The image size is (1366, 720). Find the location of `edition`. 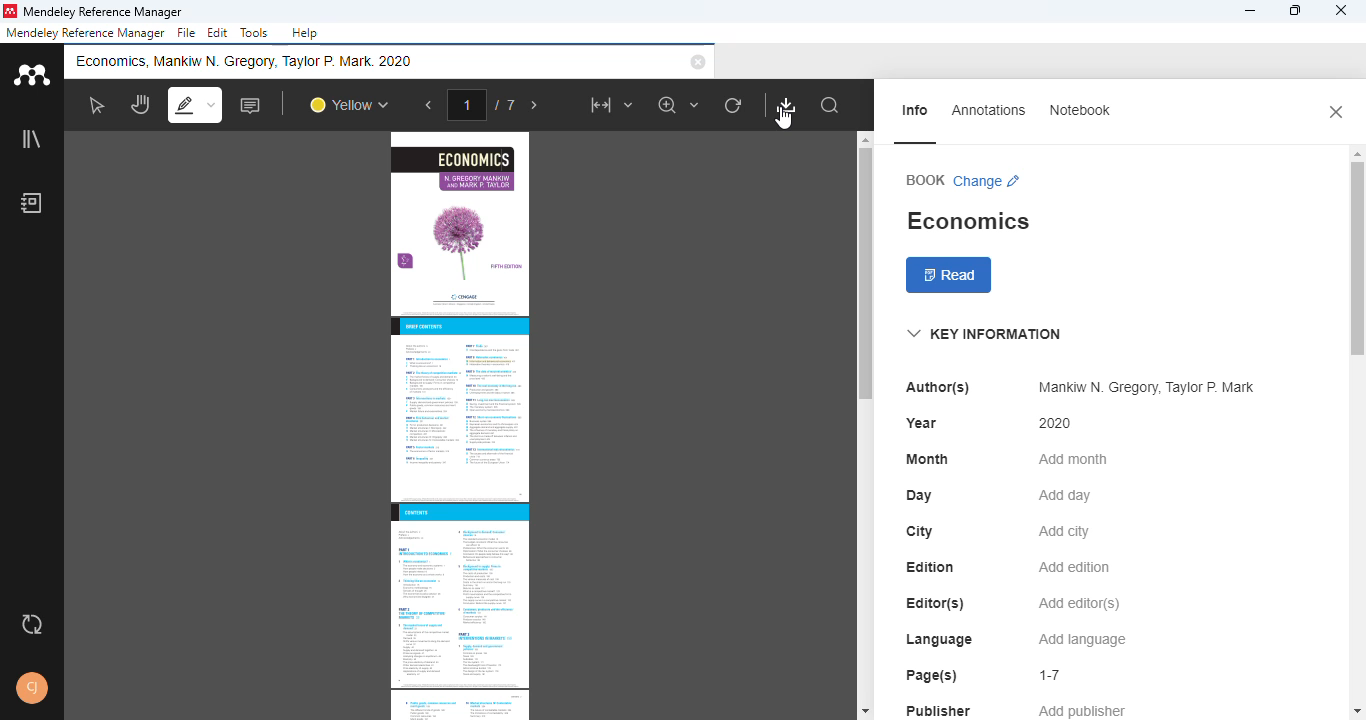

edition is located at coordinates (931, 567).